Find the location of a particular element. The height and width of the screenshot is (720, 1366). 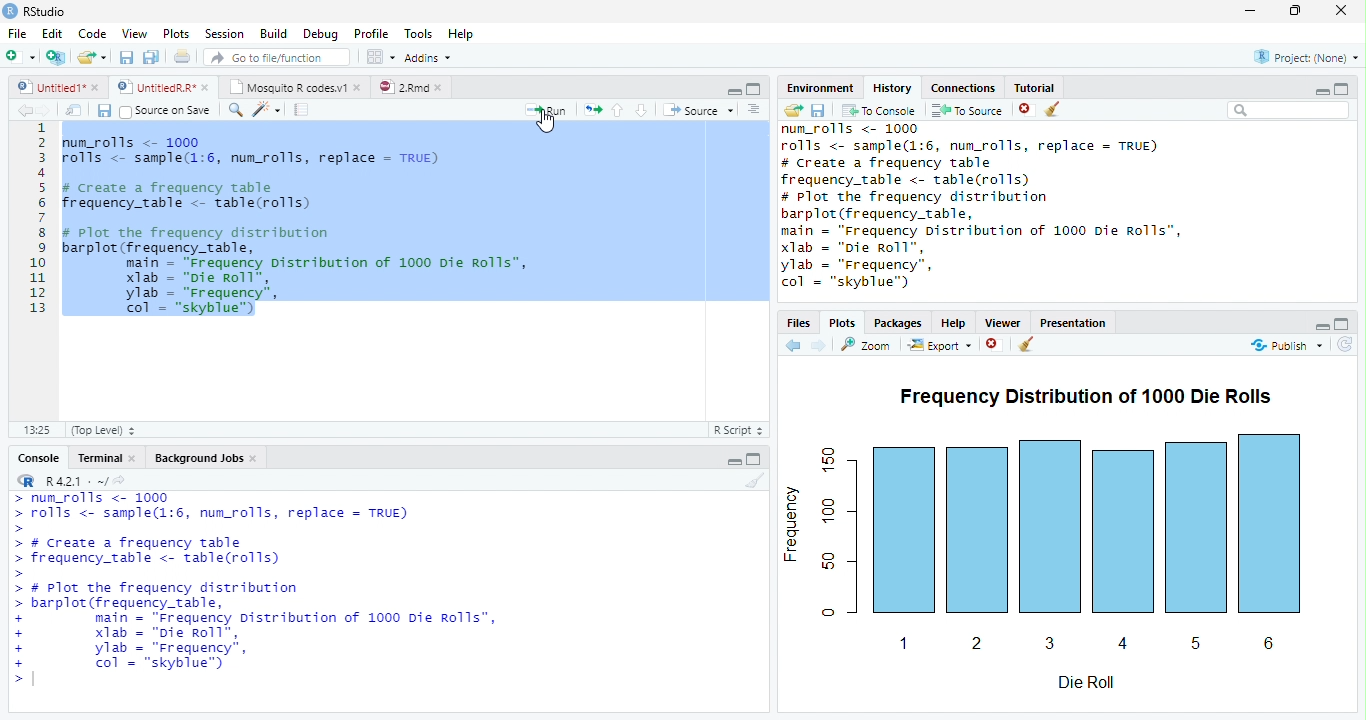

Help is located at coordinates (954, 322).